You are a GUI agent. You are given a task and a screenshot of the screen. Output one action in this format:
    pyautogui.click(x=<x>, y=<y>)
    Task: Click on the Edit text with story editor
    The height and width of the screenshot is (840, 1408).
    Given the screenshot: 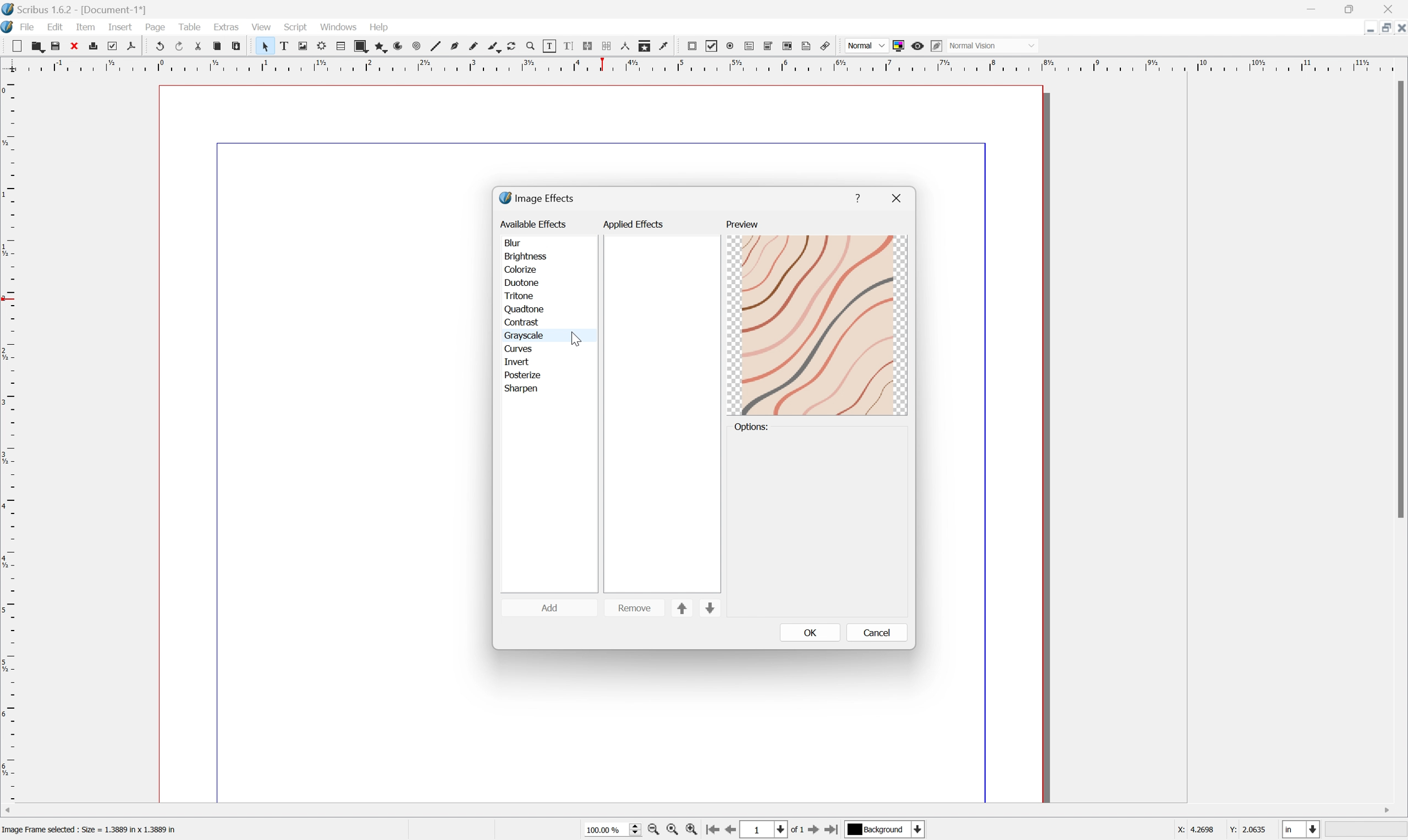 What is the action you would take?
    pyautogui.click(x=574, y=46)
    